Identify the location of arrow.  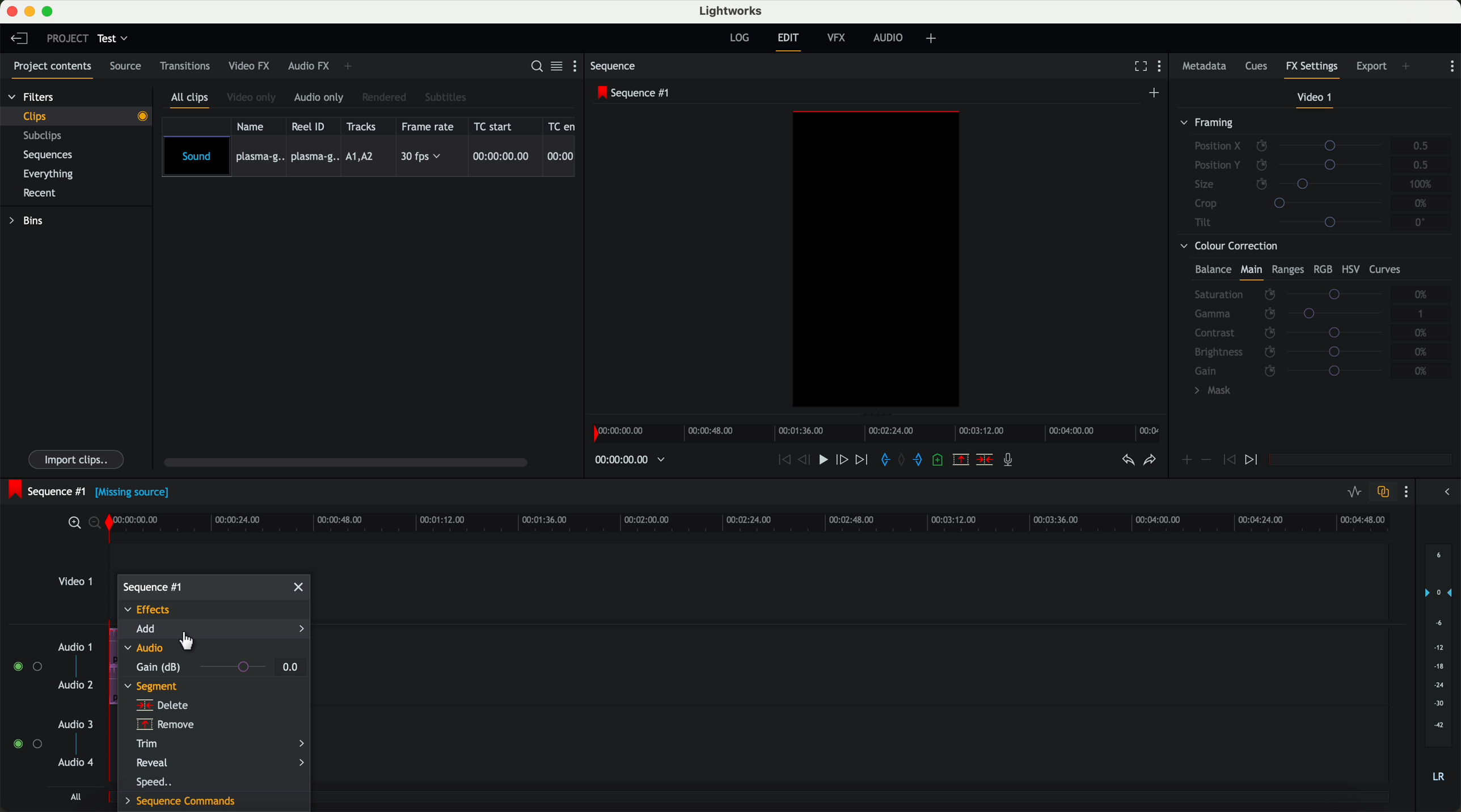
(1443, 493).